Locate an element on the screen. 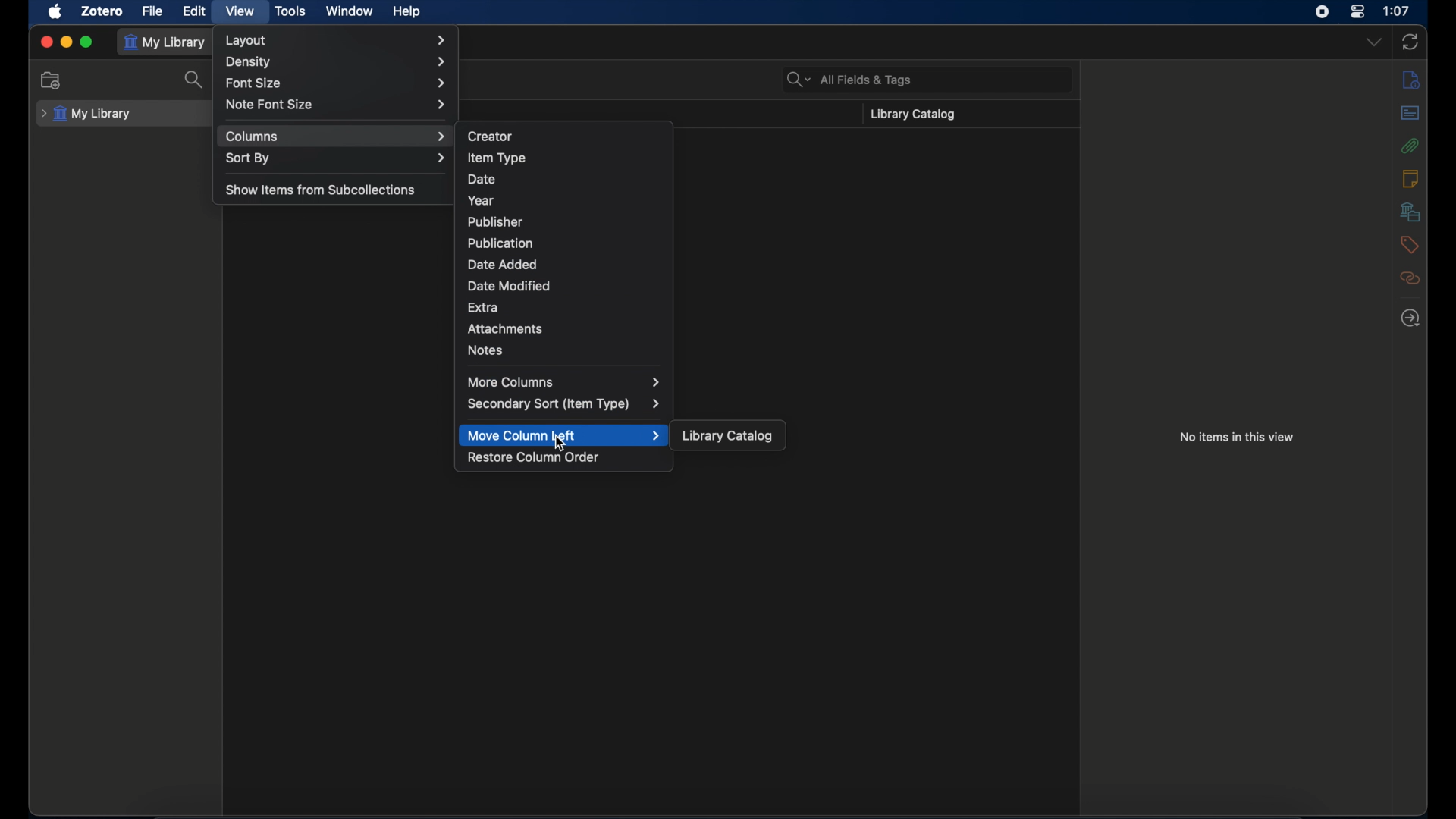  search bar is located at coordinates (849, 80).